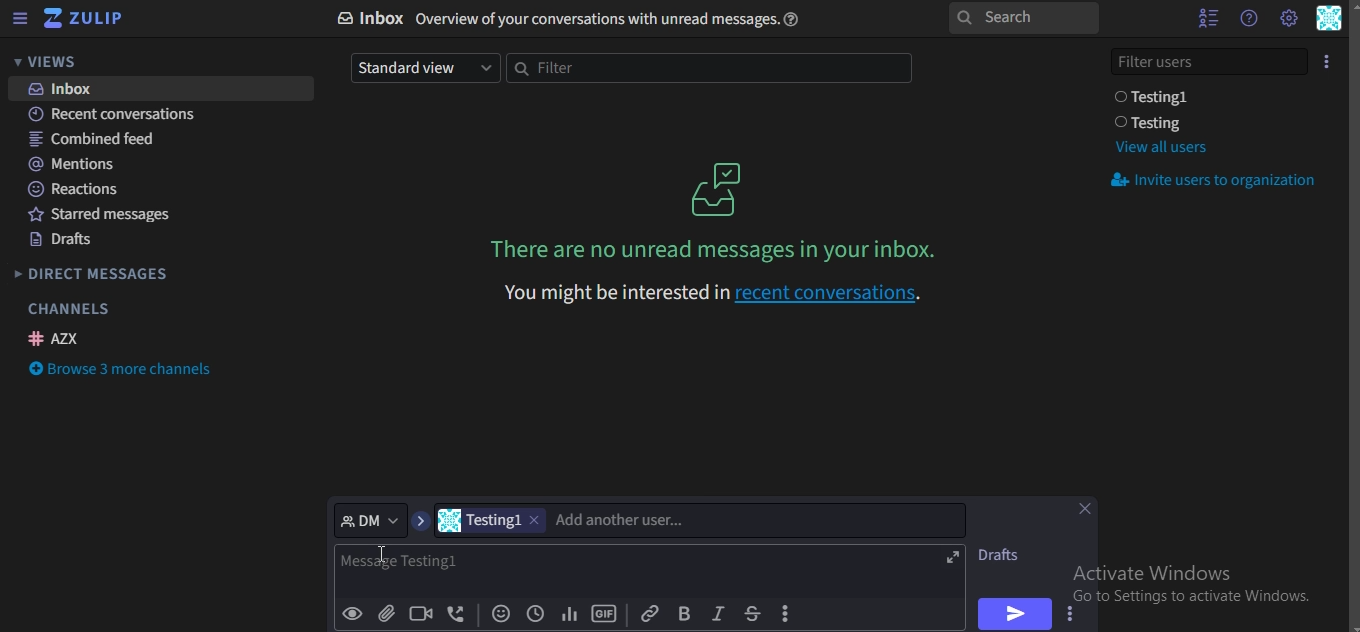  I want to click on help menu, so click(1248, 18).